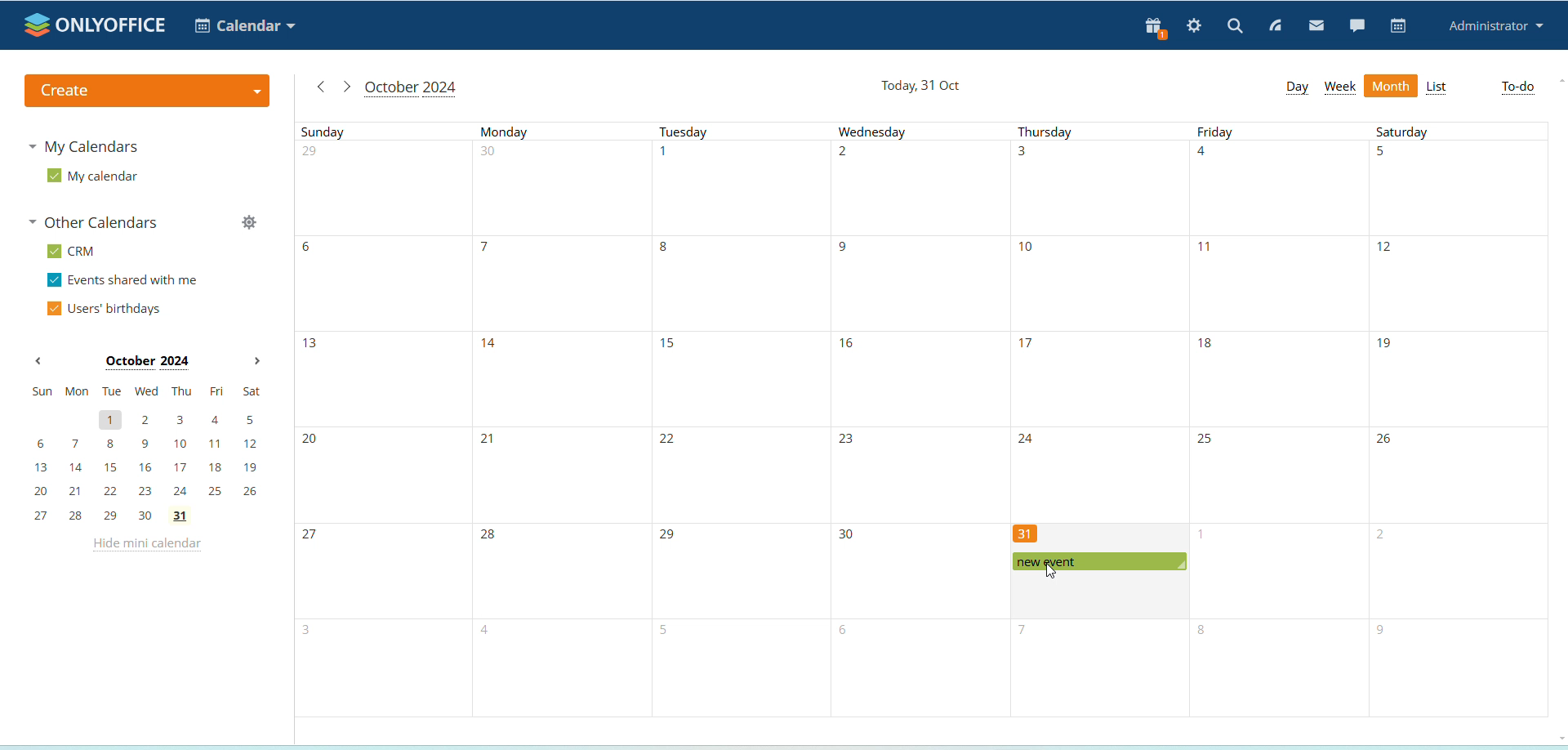 Image resolution: width=1568 pixels, height=750 pixels. Describe the element at coordinates (1518, 87) in the screenshot. I see `to-do` at that location.